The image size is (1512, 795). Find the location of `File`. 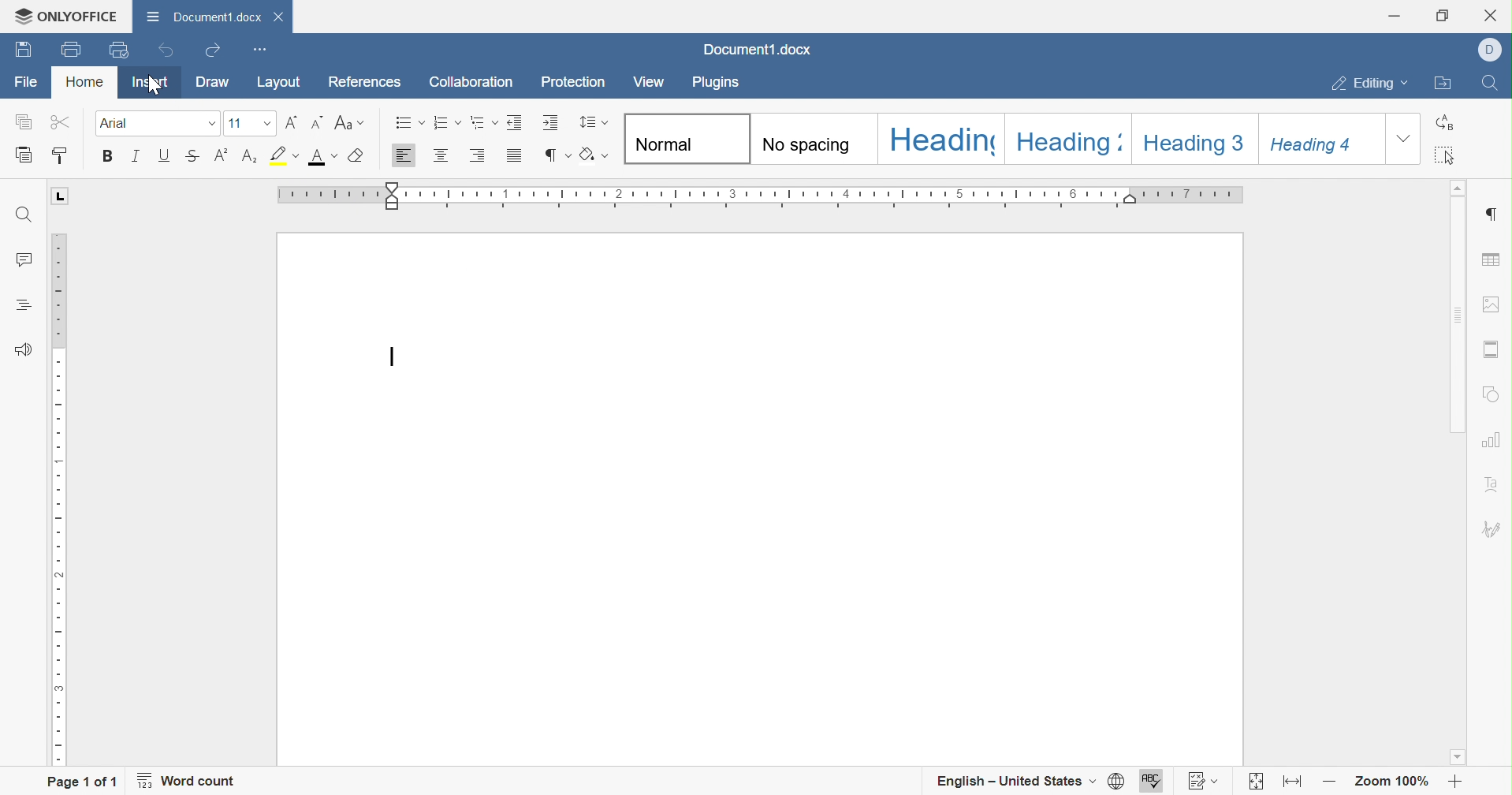

File is located at coordinates (28, 84).